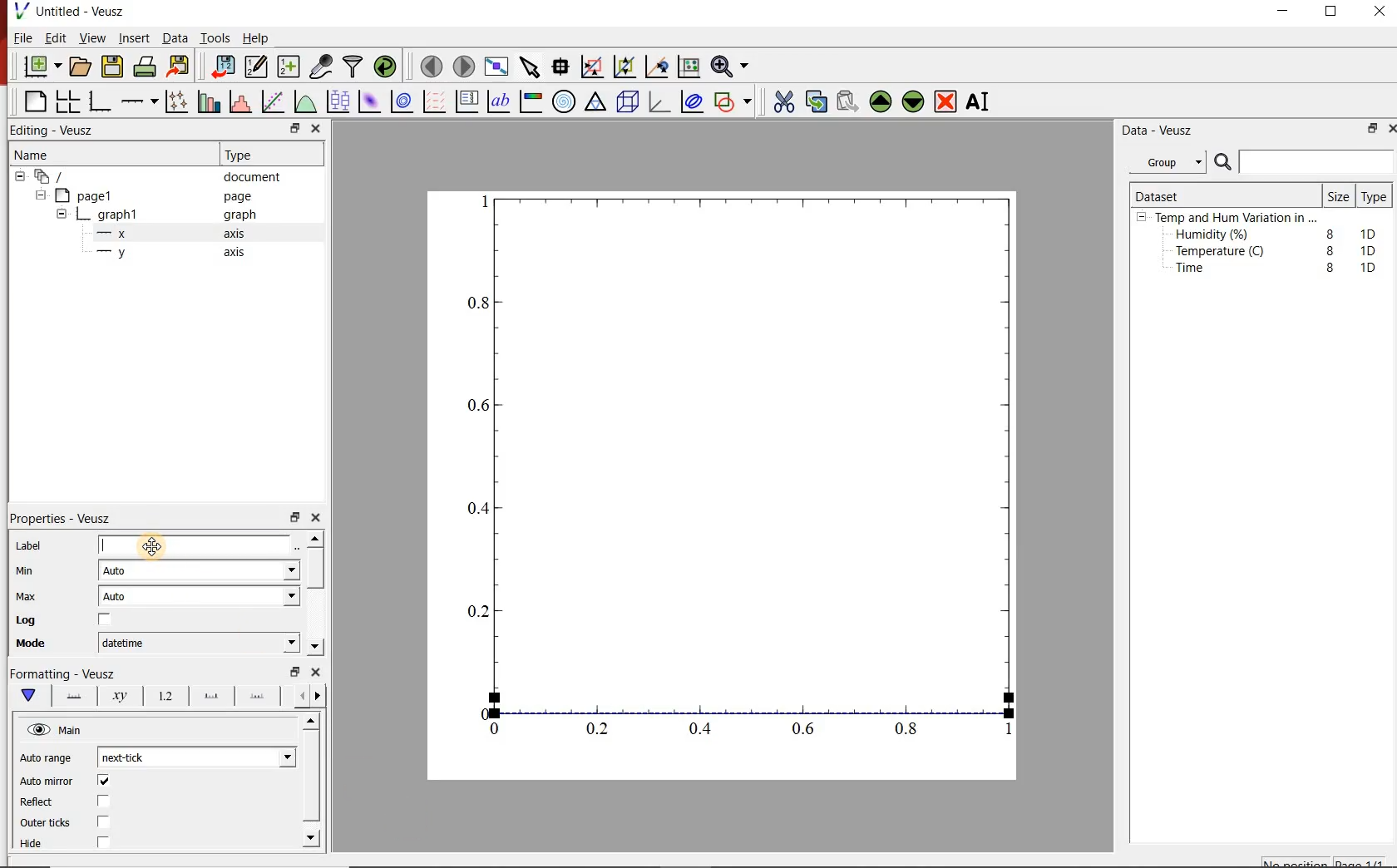 The image size is (1397, 868). What do you see at coordinates (1236, 218) in the screenshot?
I see `Temp and Hum Variation in ...` at bounding box center [1236, 218].